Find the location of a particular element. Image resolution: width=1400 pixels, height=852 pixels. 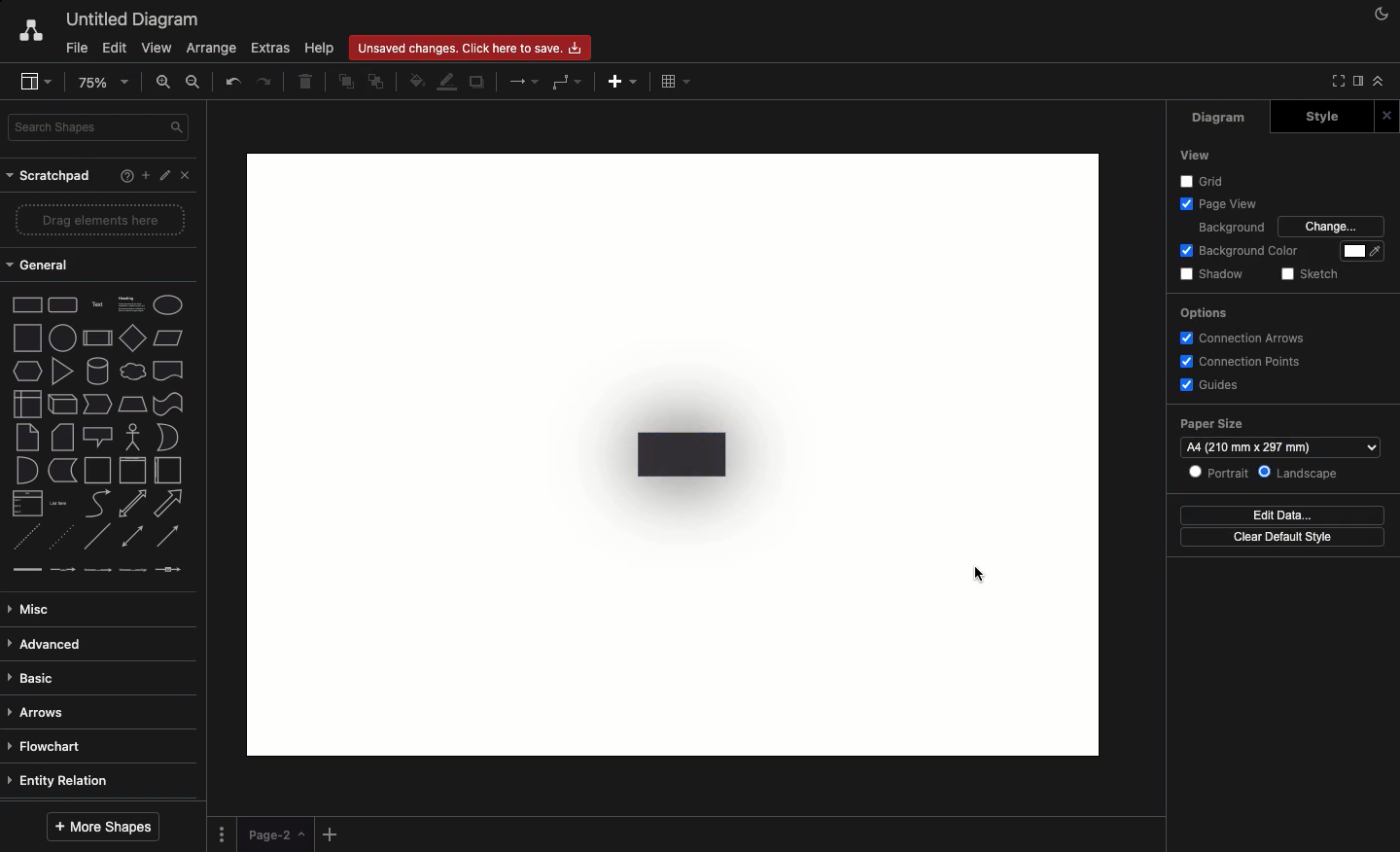

Fill color is located at coordinates (415, 79).